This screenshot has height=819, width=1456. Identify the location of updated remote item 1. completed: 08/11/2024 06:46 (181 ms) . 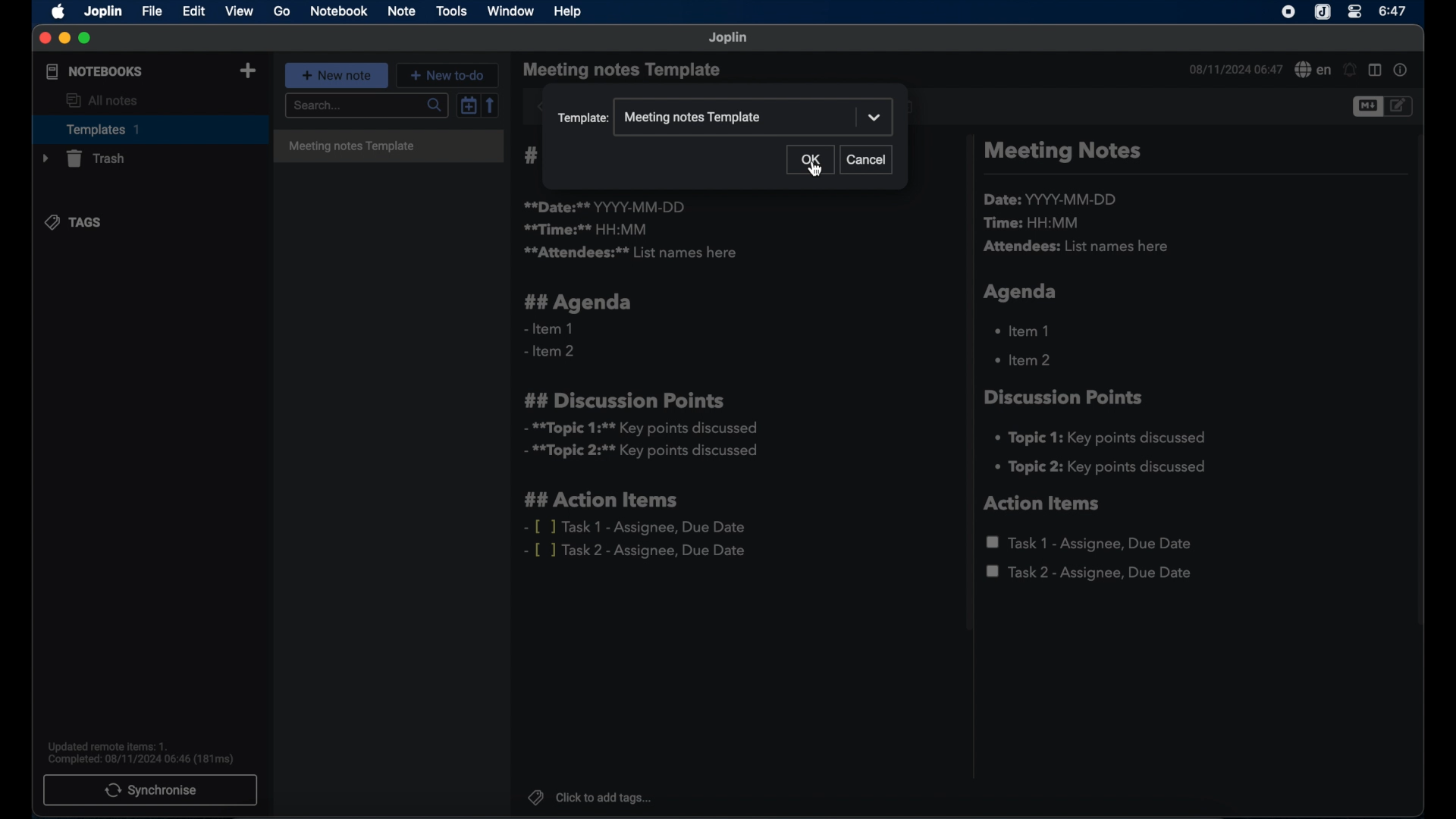
(143, 752).